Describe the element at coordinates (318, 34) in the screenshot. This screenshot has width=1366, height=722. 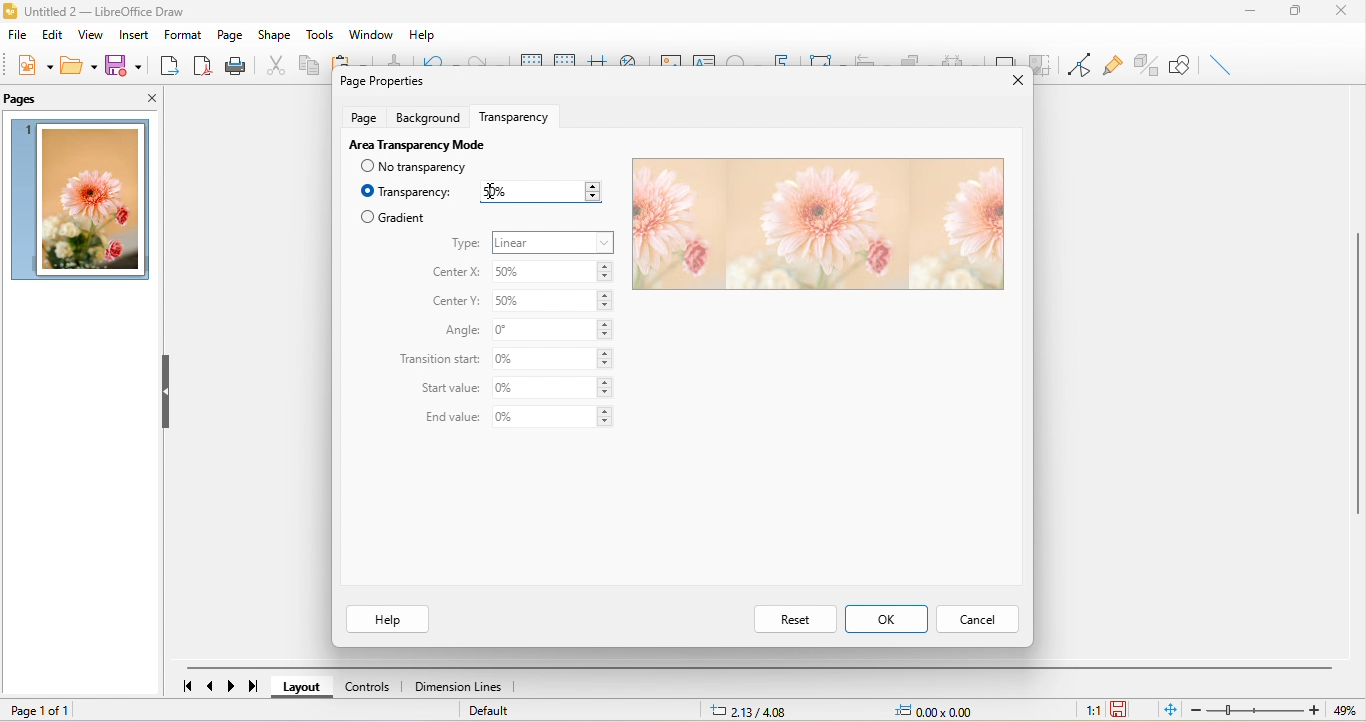
I see `tools` at that location.